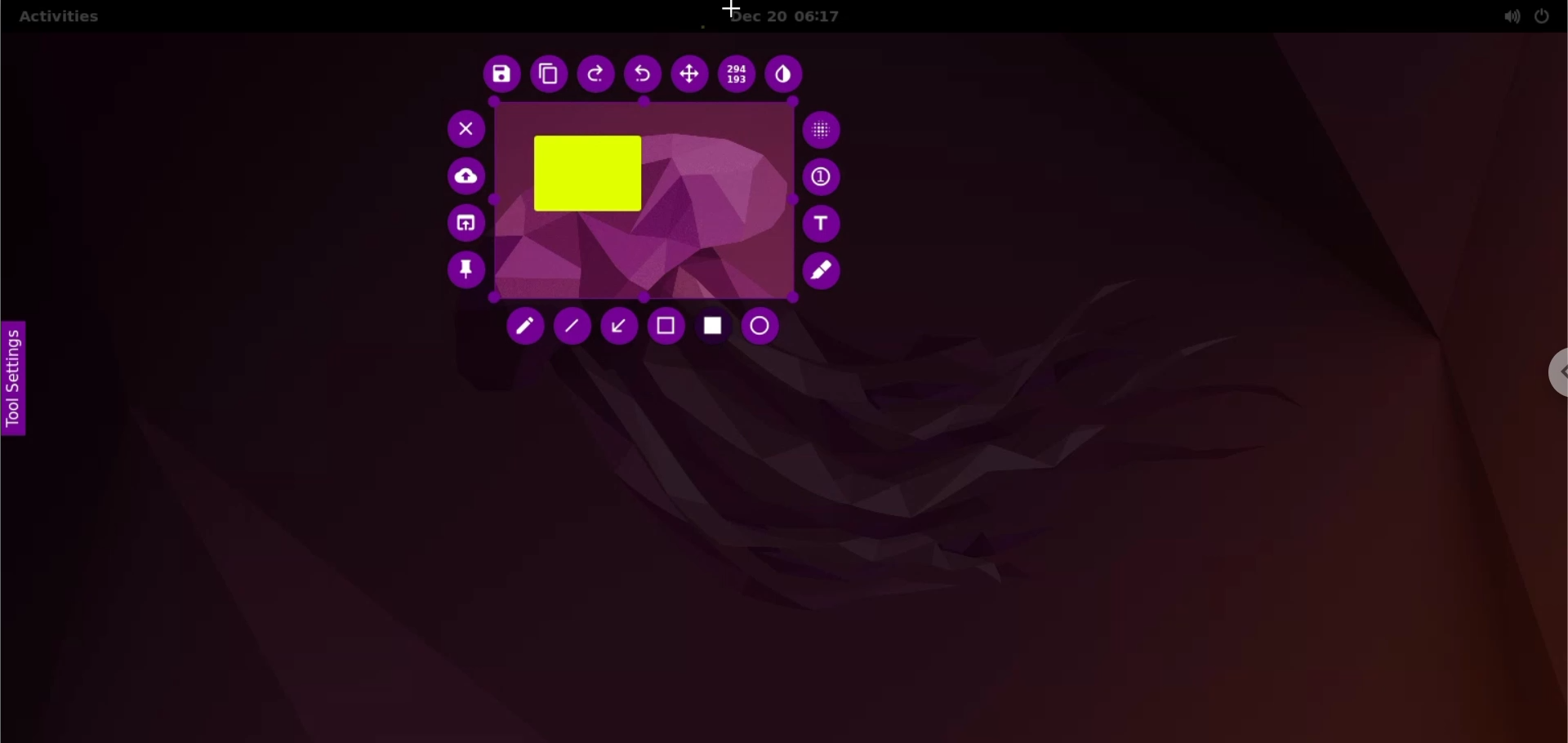 The image size is (1568, 743). I want to click on inverter tool, so click(787, 74).